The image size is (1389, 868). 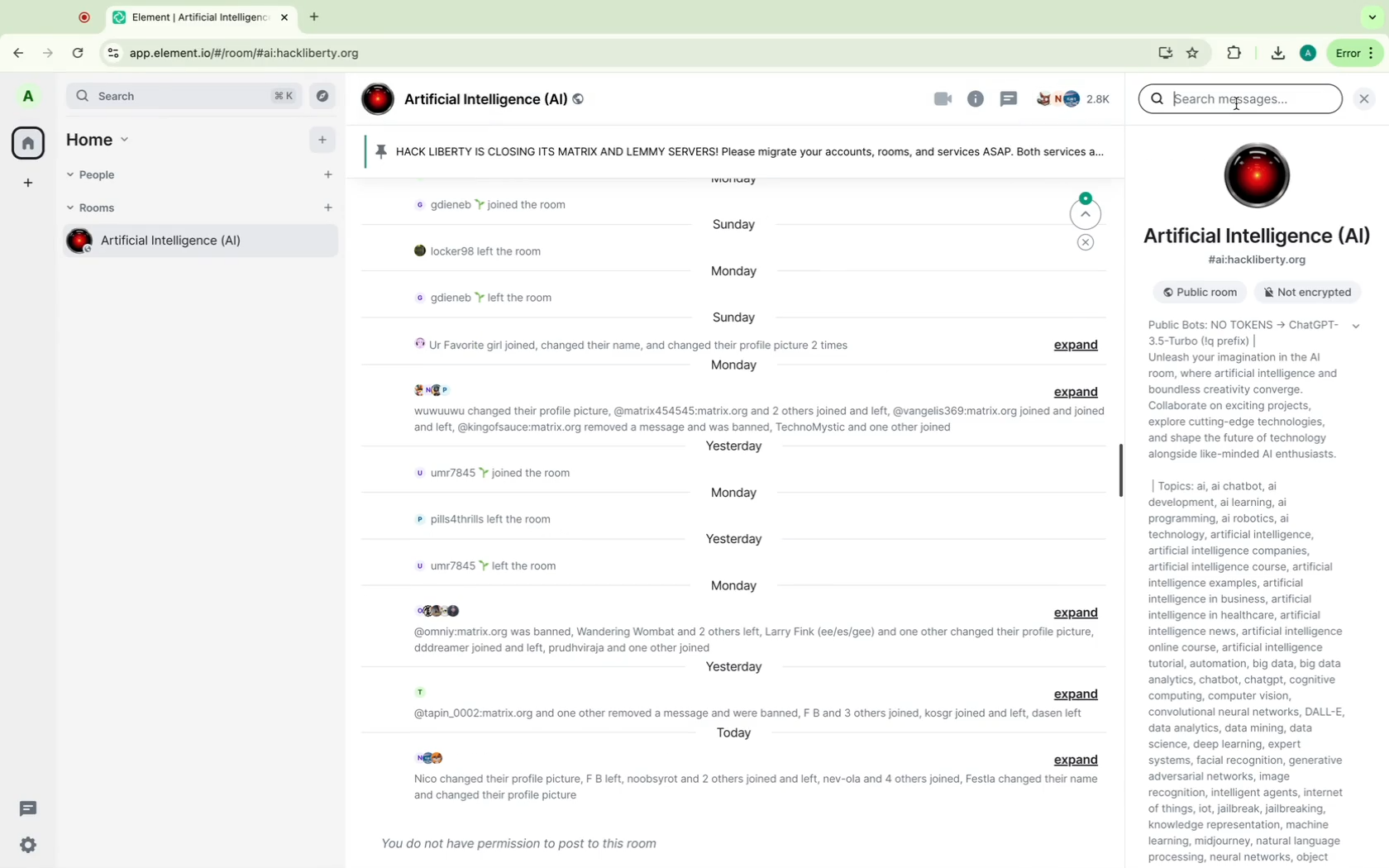 I want to click on profile picture, so click(x=31, y=98).